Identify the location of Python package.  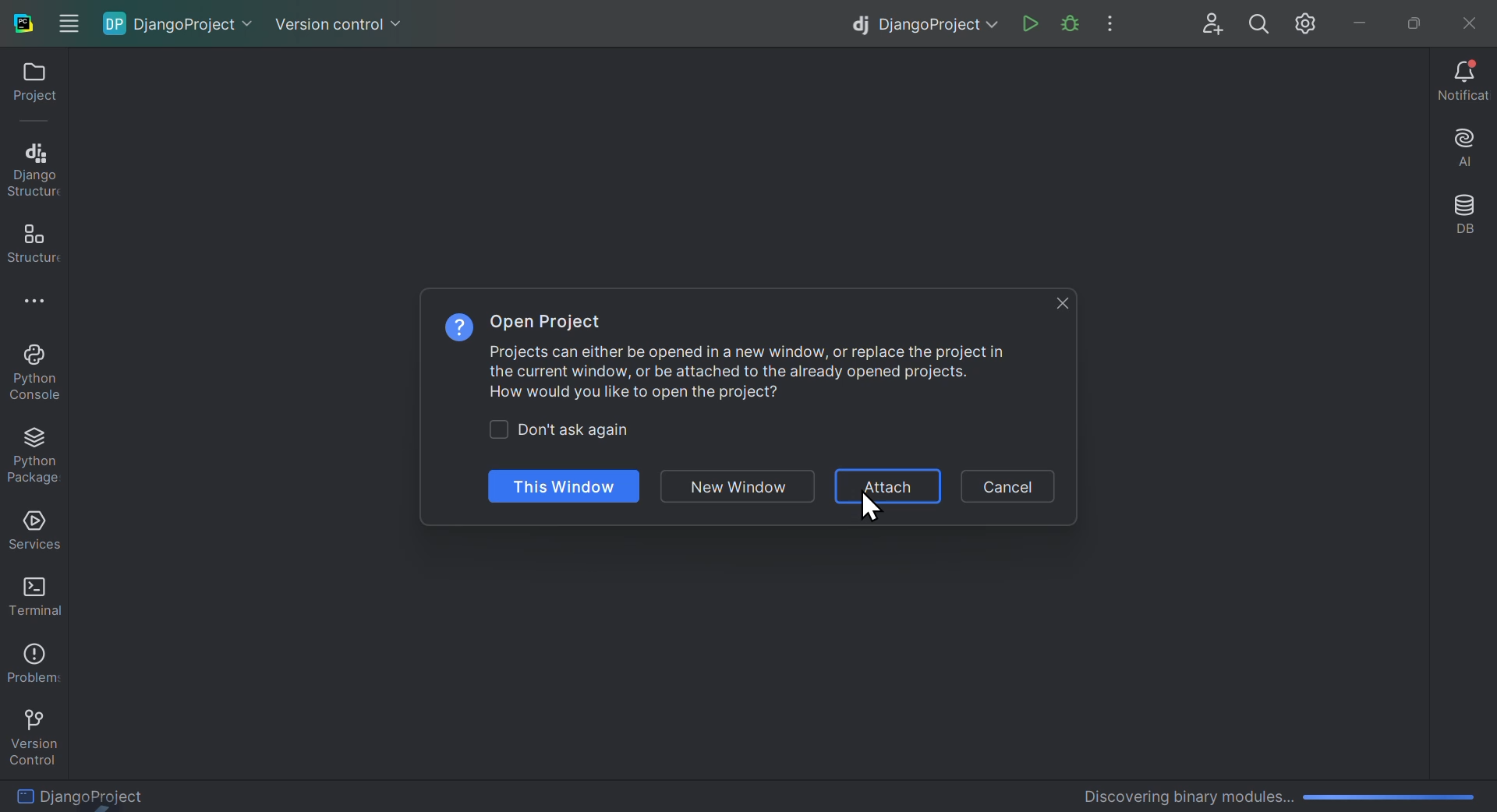
(39, 457).